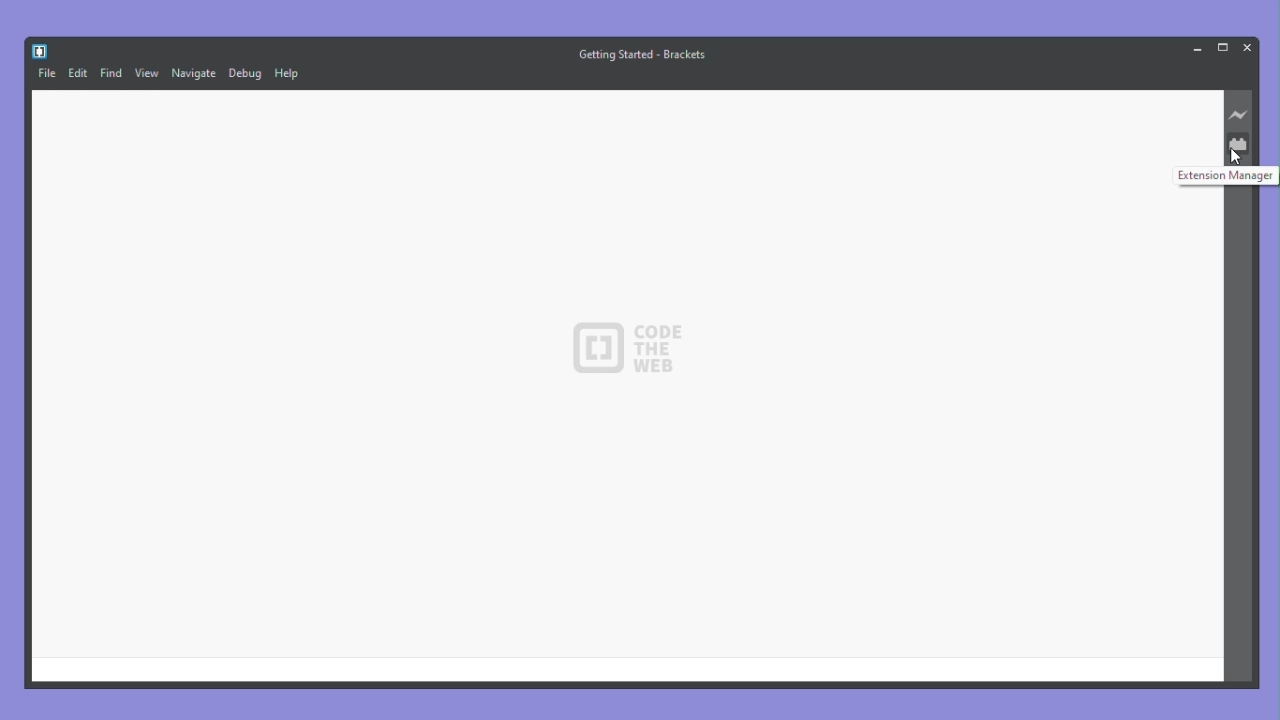 Image resolution: width=1280 pixels, height=720 pixels. I want to click on view, so click(149, 74).